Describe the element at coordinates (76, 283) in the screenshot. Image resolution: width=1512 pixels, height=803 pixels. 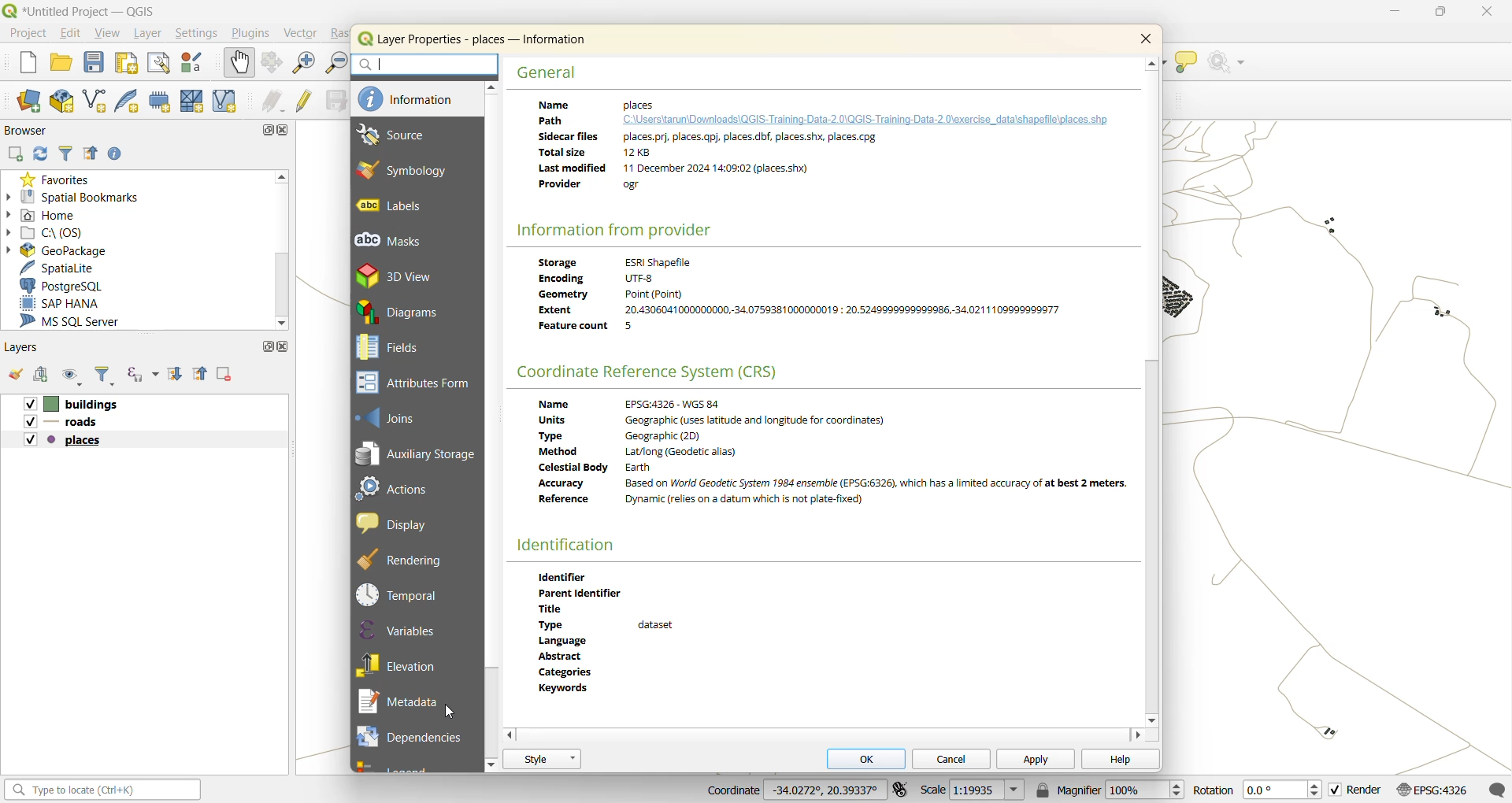
I see `postgresql` at that location.